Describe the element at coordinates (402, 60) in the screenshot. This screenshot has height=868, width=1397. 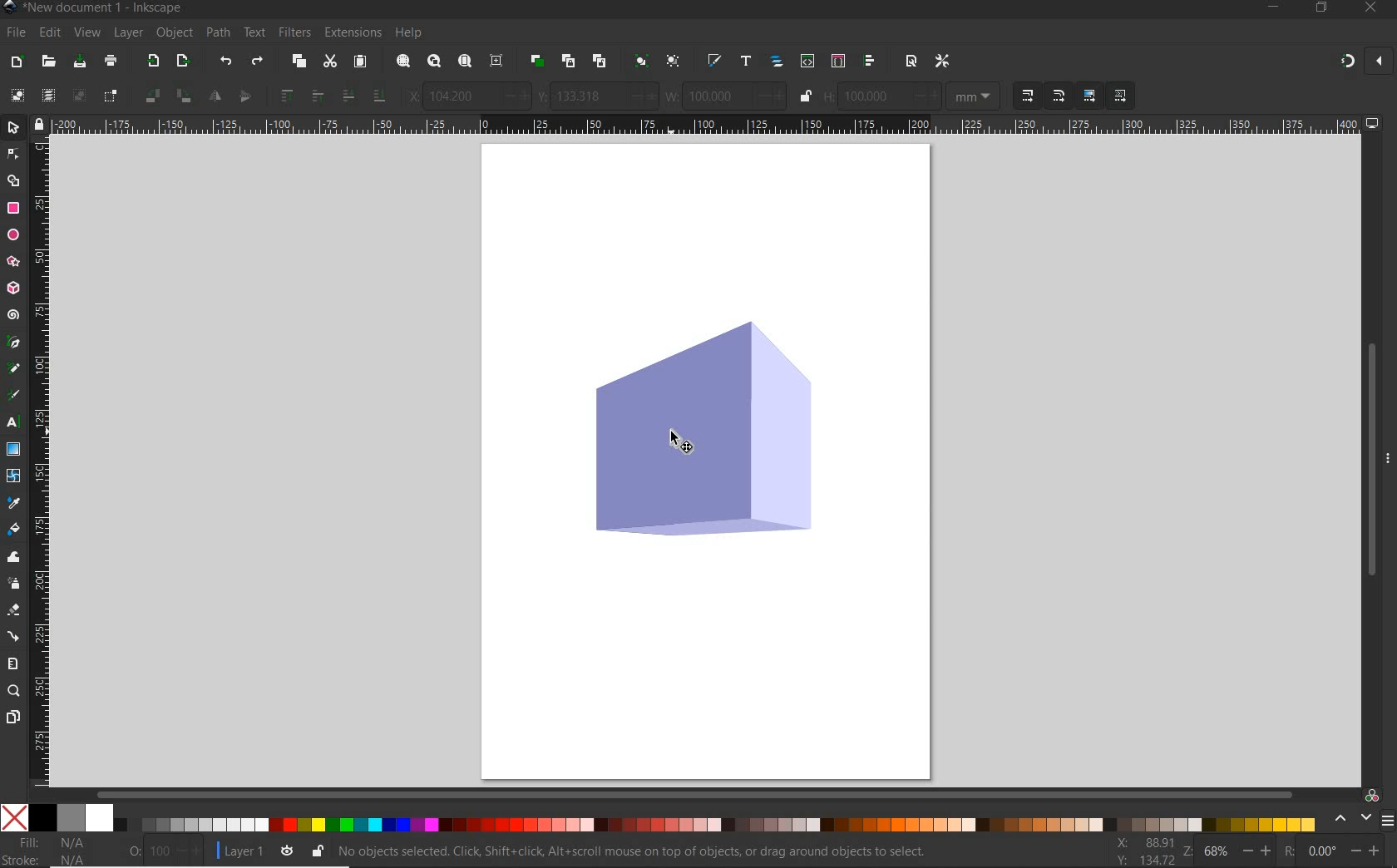
I see `ZOOM SELECTION` at that location.